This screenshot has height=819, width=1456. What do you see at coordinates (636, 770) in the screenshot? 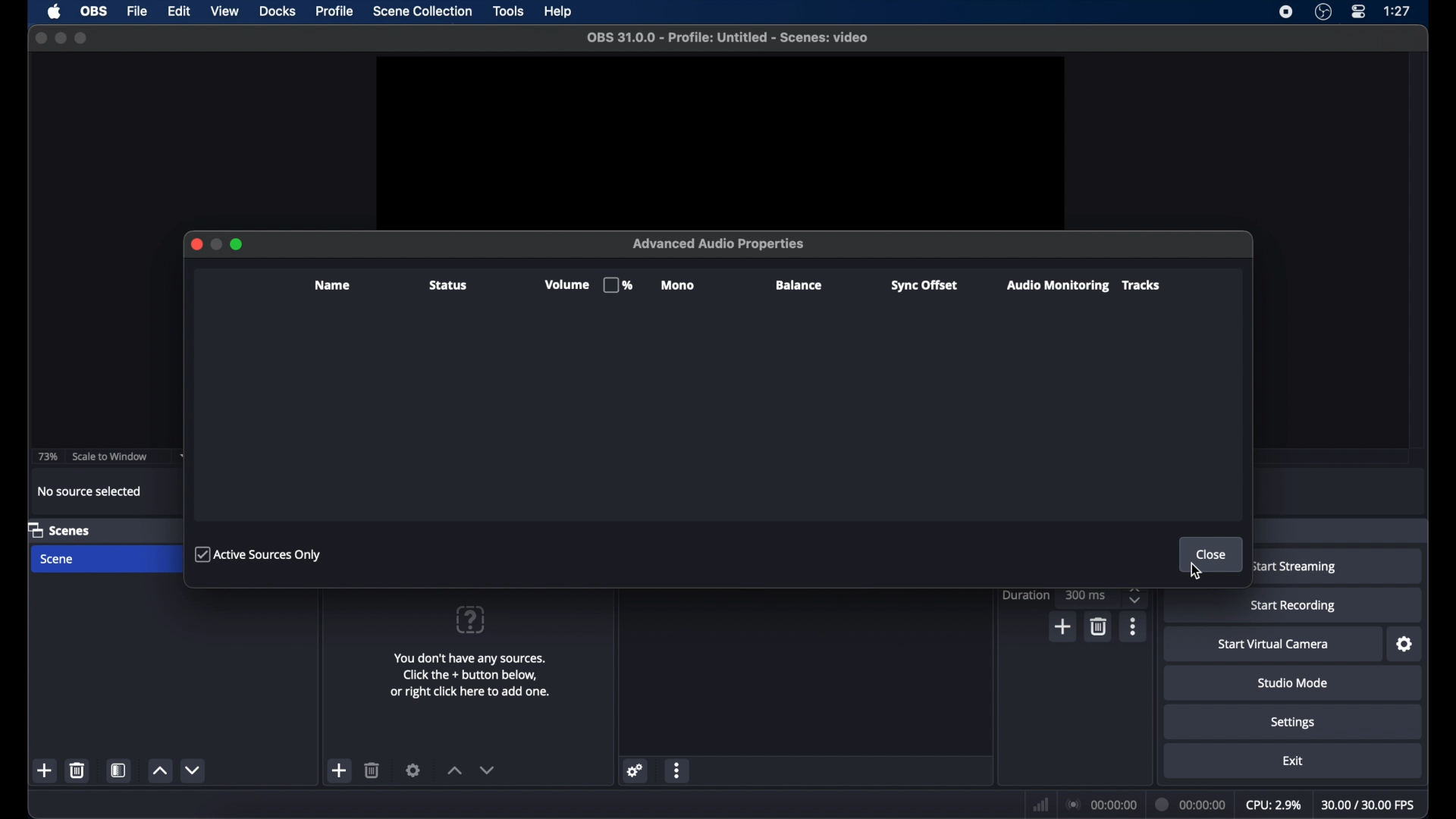
I see `settings` at bounding box center [636, 770].